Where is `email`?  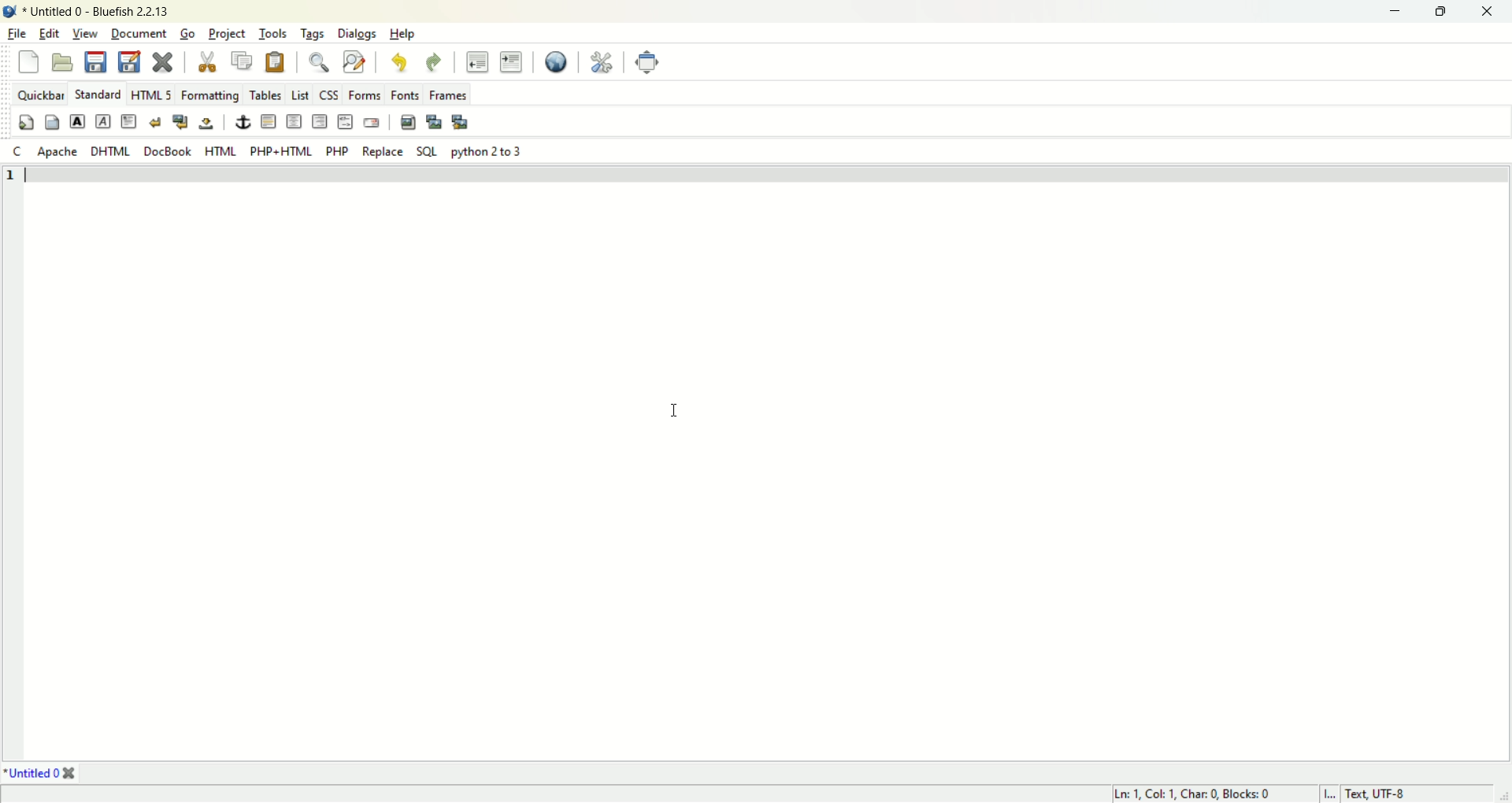 email is located at coordinates (372, 121).